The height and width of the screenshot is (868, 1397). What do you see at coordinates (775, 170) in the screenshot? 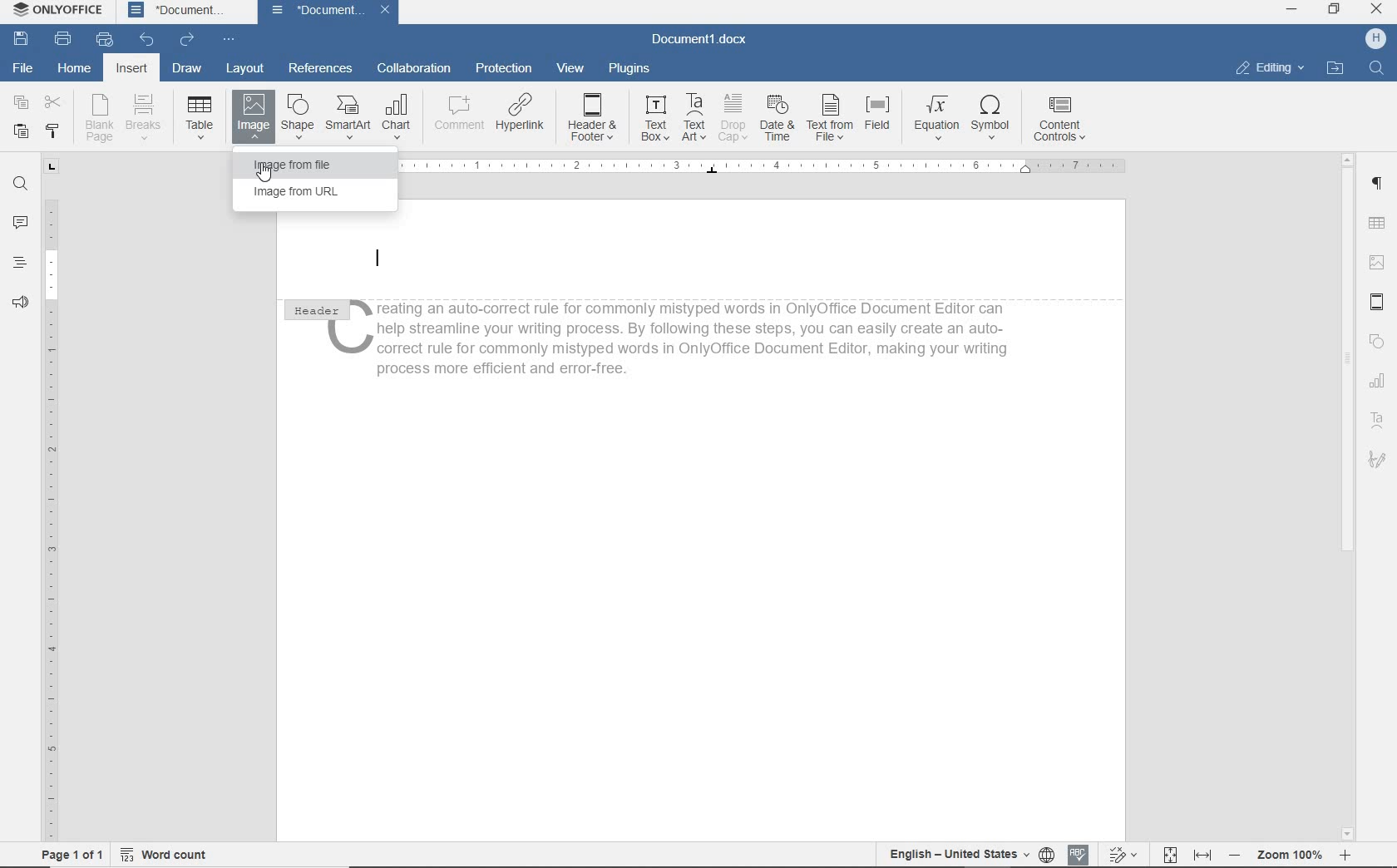
I see `RULER` at bounding box center [775, 170].